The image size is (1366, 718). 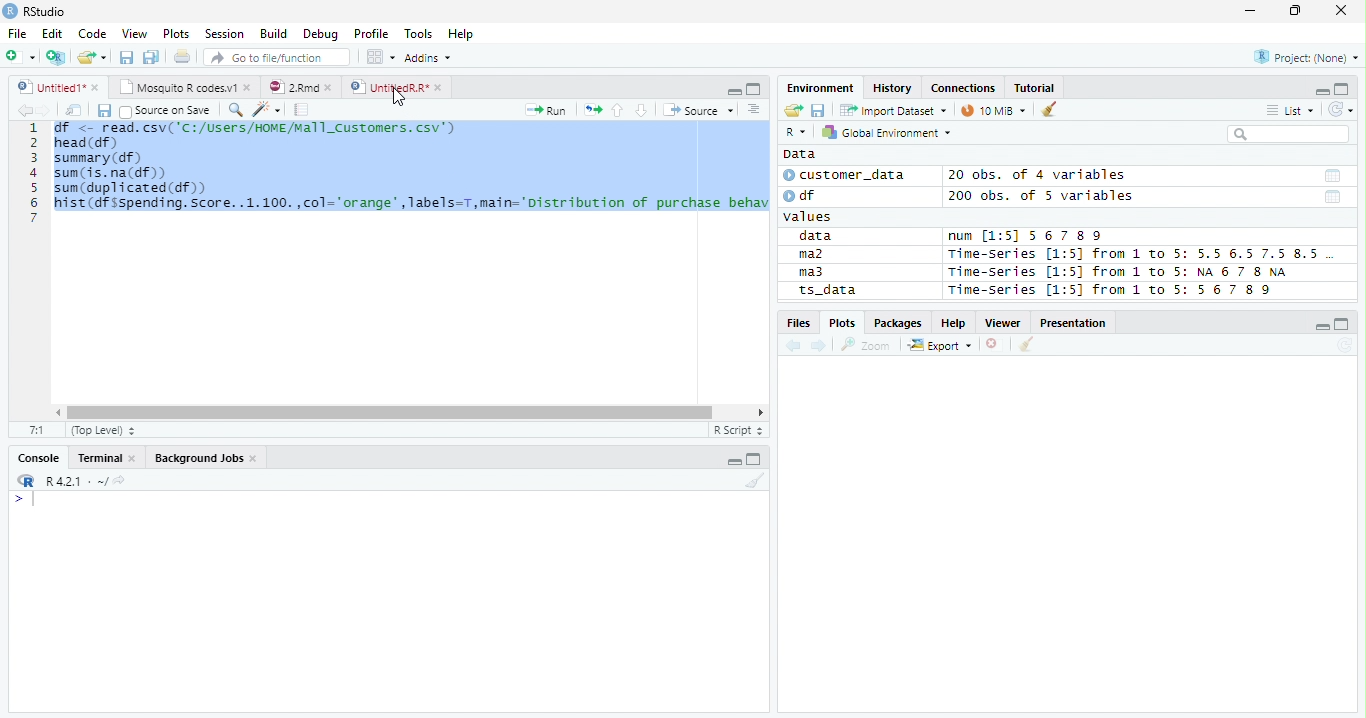 I want to click on Minimze, so click(x=1320, y=90).